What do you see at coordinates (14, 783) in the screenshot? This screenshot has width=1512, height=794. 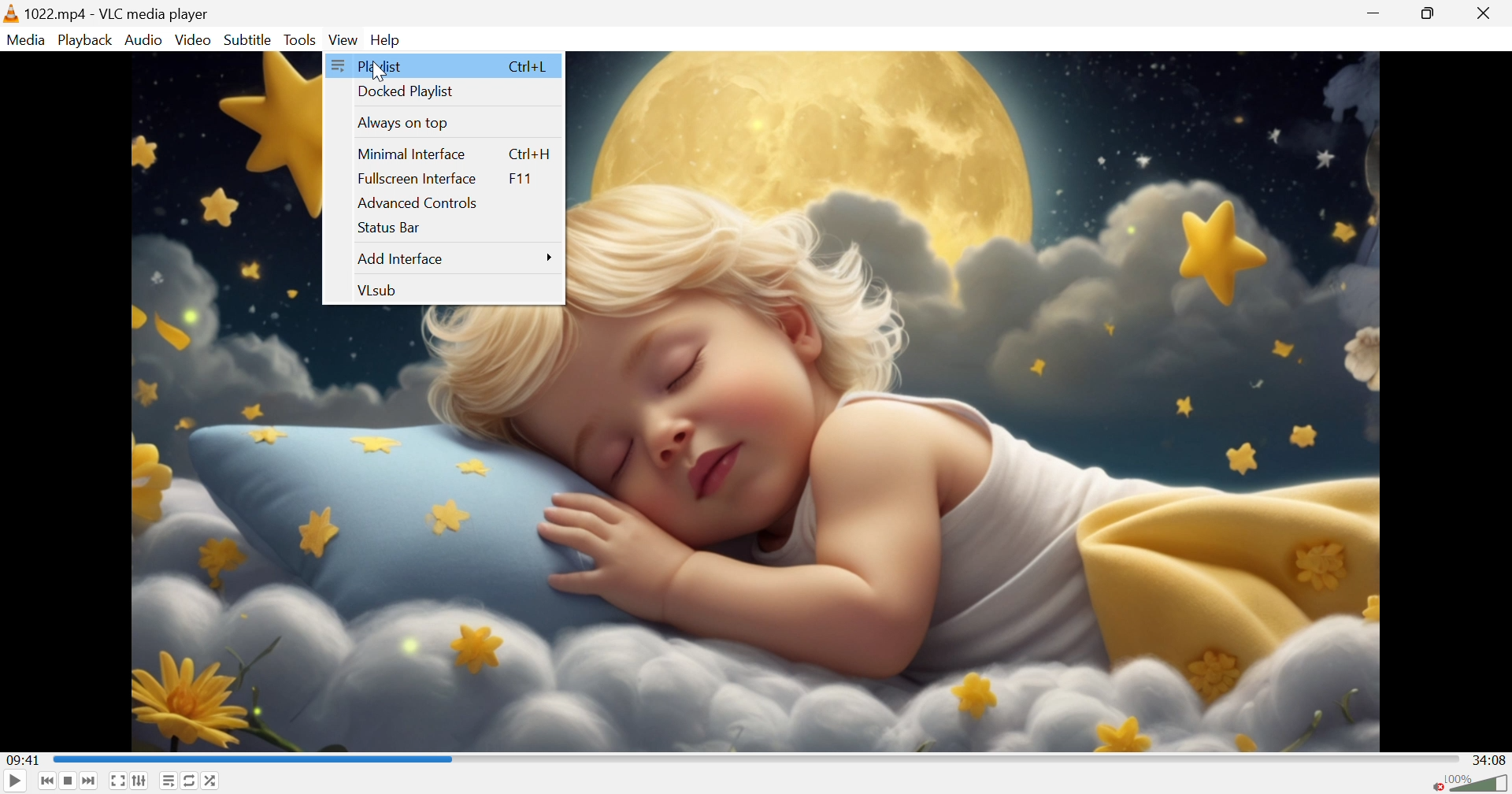 I see `Play` at bounding box center [14, 783].